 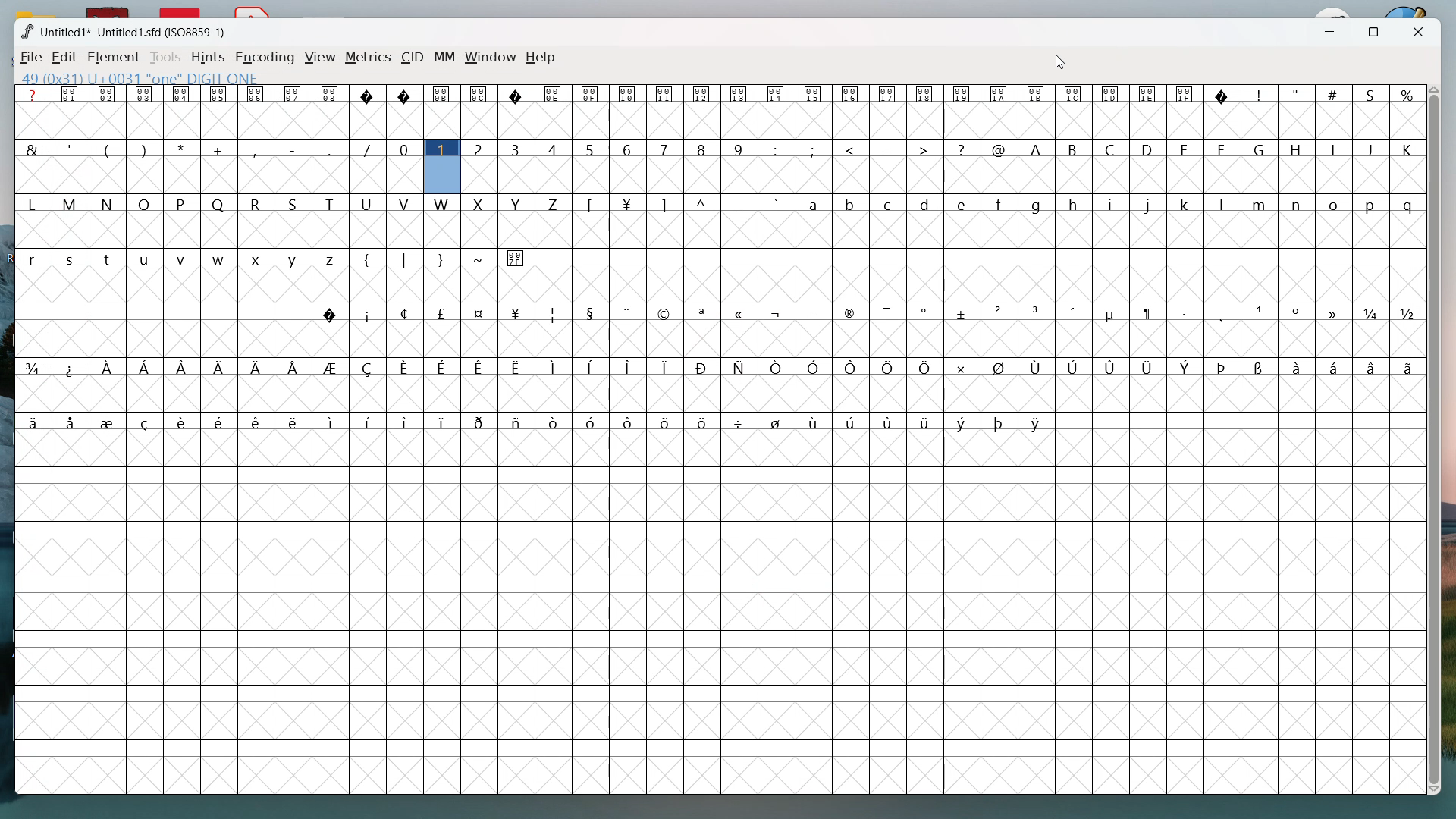 What do you see at coordinates (1264, 313) in the screenshot?
I see `symbol` at bounding box center [1264, 313].